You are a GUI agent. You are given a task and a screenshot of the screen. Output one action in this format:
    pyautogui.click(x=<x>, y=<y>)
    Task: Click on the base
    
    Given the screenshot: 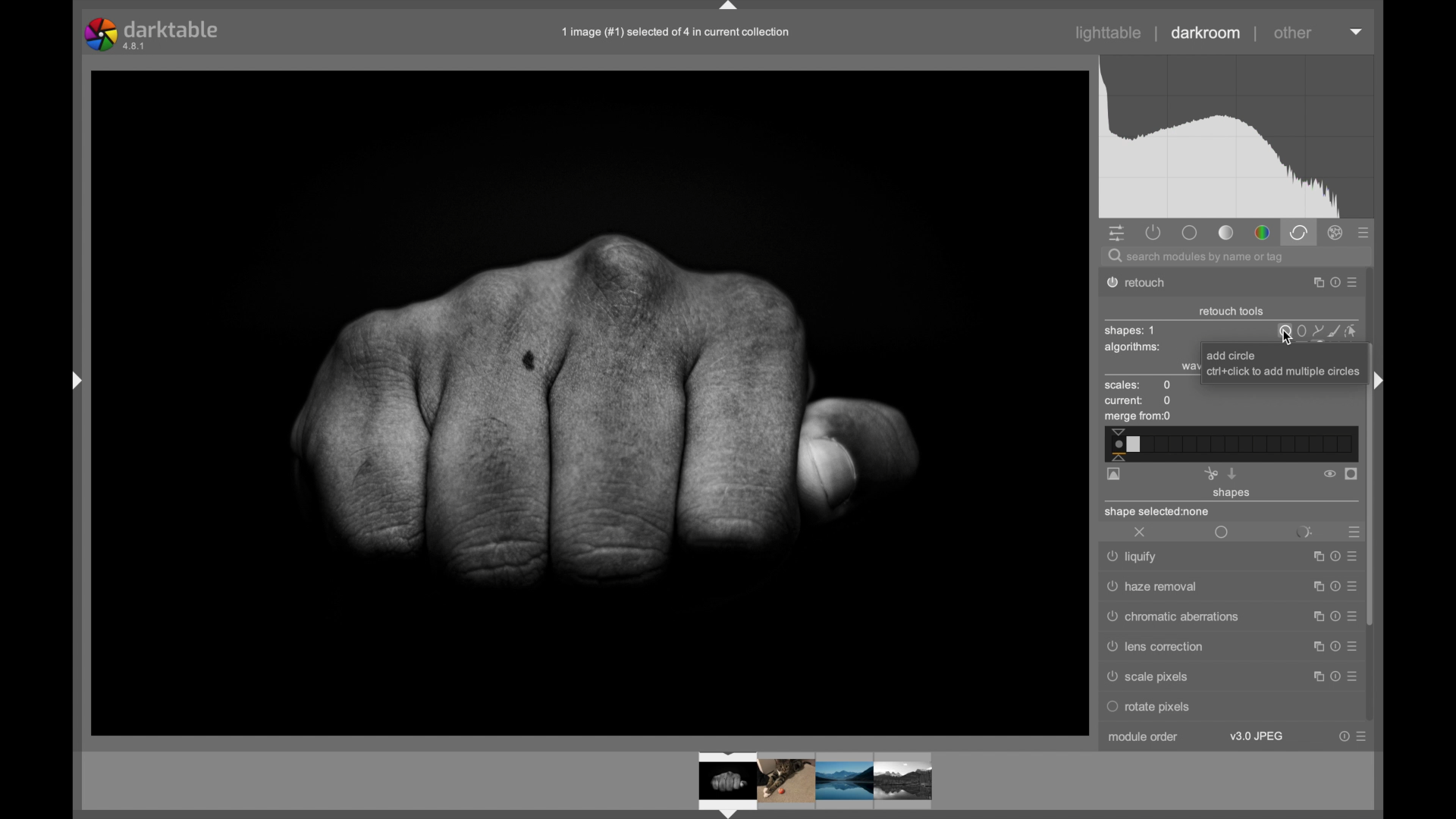 What is the action you would take?
    pyautogui.click(x=1189, y=232)
    